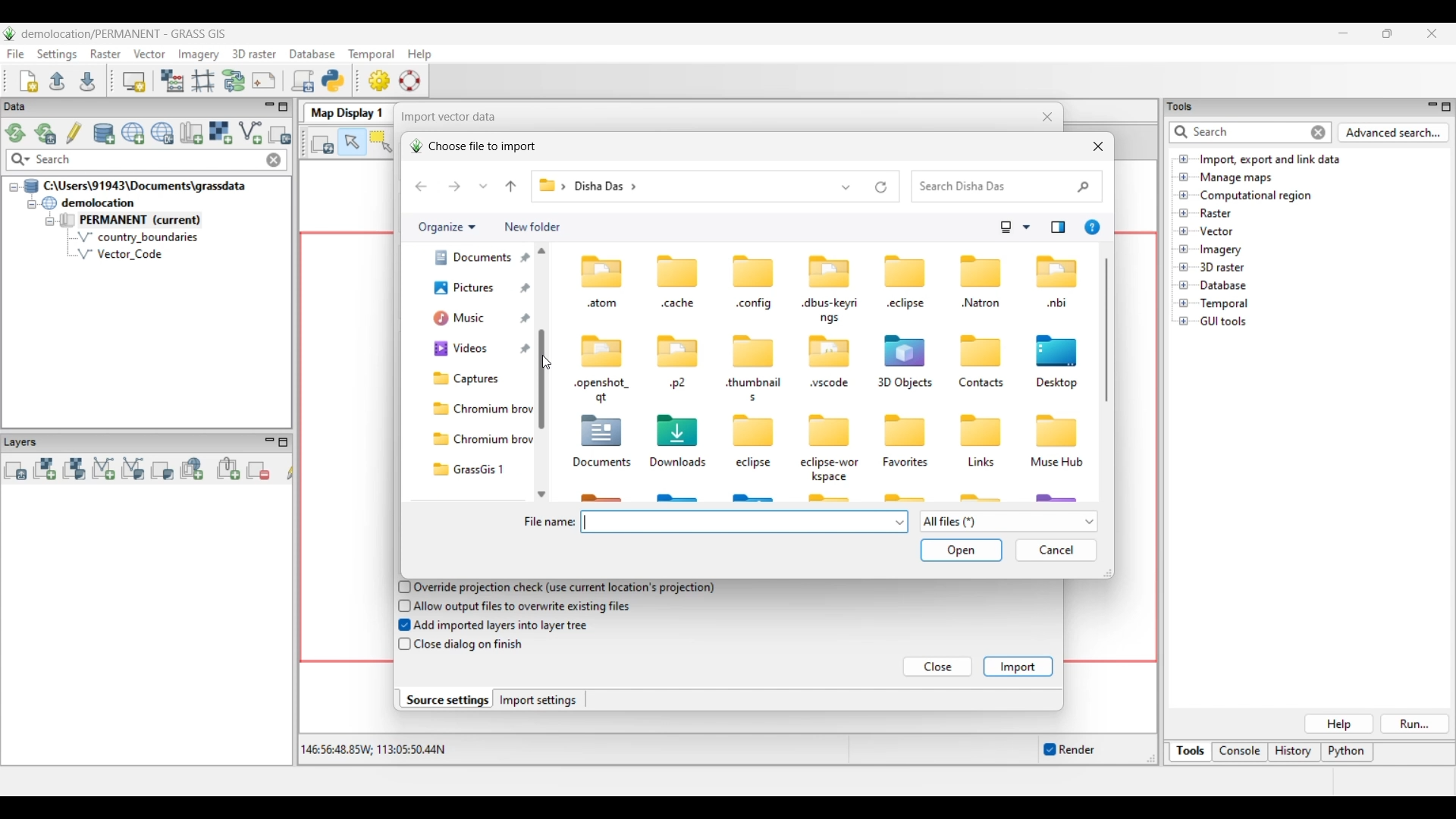 This screenshot has width=1456, height=819. I want to click on Add existing or create new database, so click(105, 134).